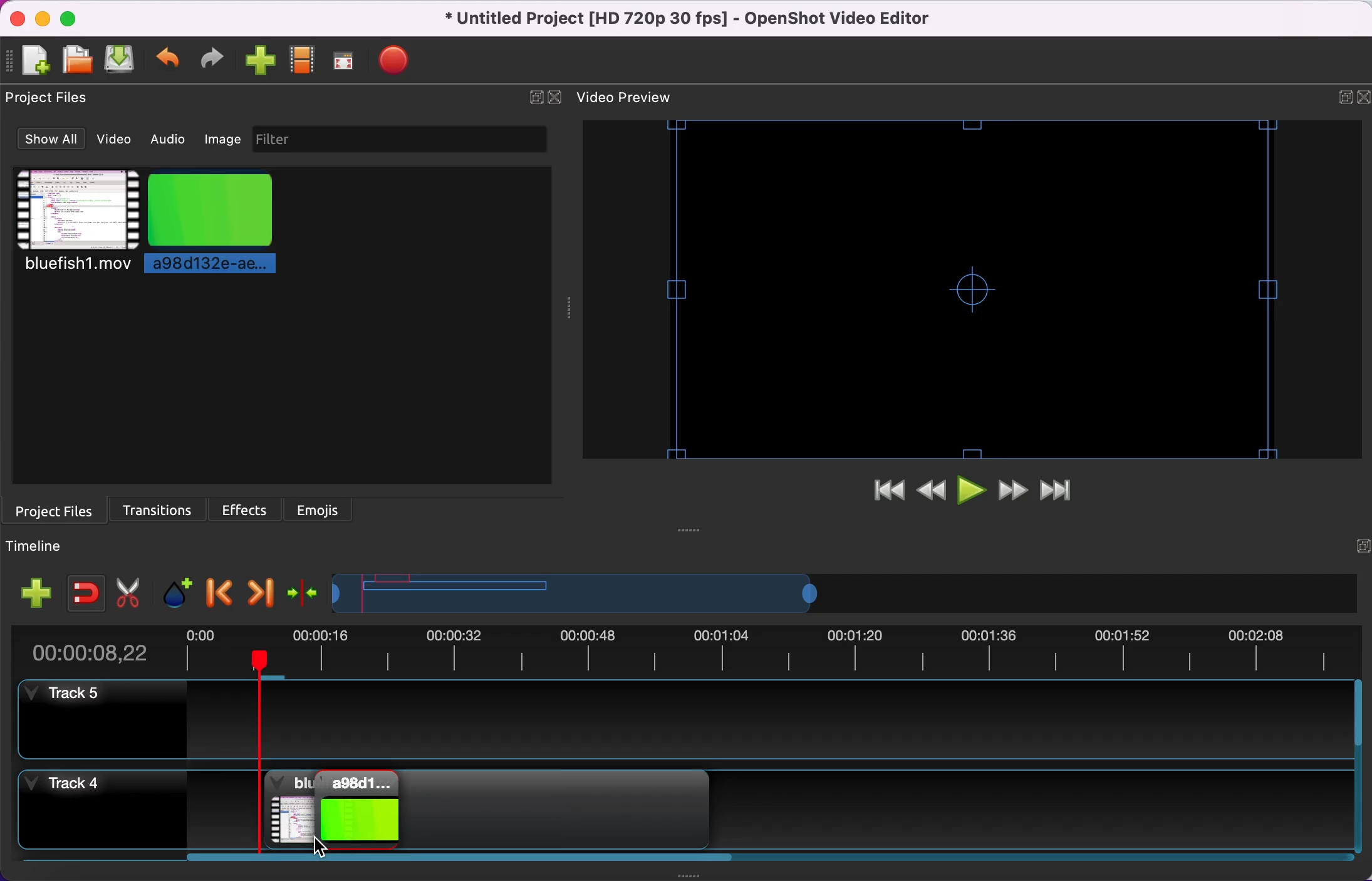 The width and height of the screenshot is (1372, 881). Describe the element at coordinates (37, 592) in the screenshot. I see `add track` at that location.